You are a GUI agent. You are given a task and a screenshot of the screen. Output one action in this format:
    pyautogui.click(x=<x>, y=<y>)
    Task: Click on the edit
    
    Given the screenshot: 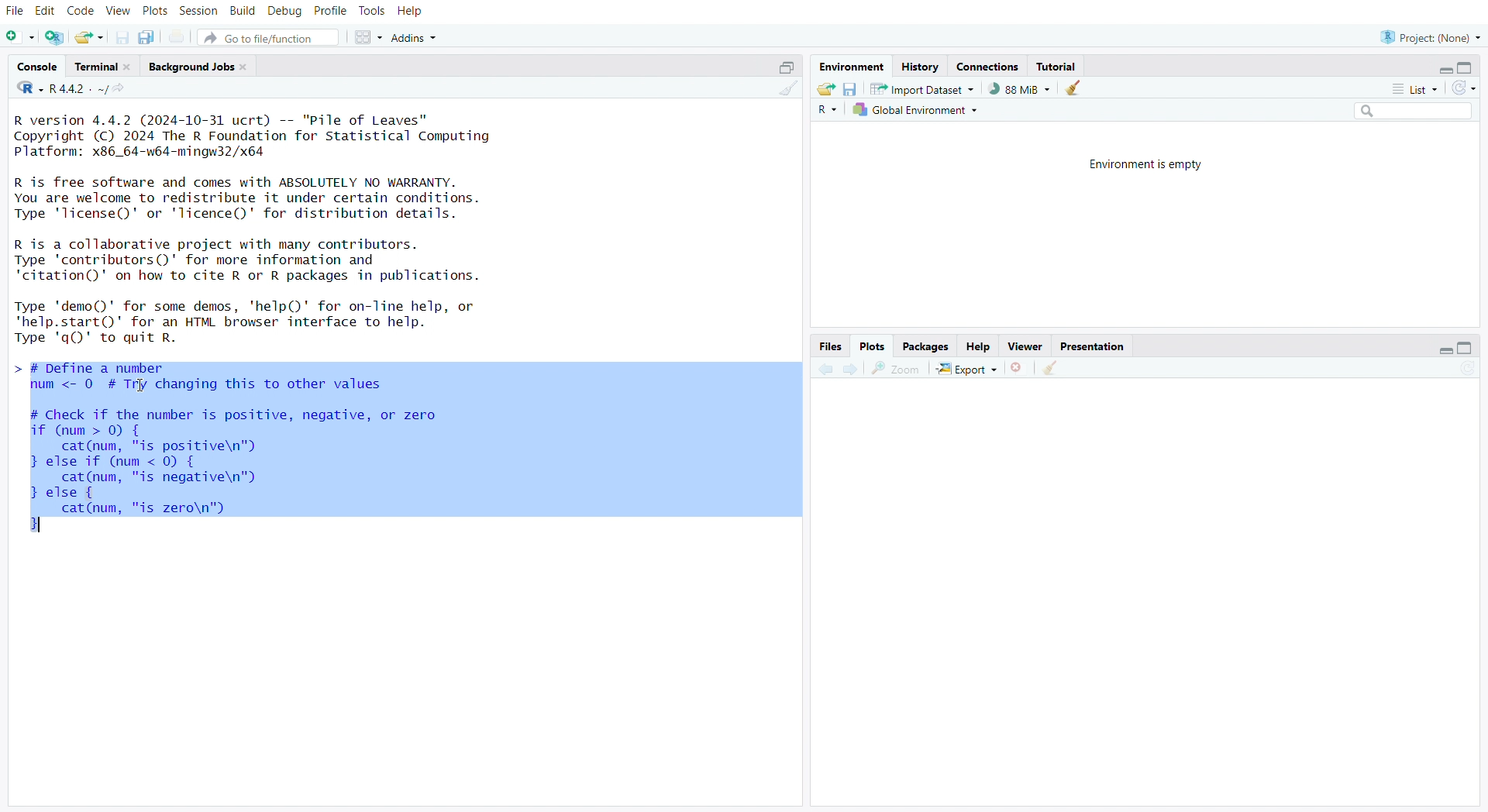 What is the action you would take?
    pyautogui.click(x=48, y=10)
    